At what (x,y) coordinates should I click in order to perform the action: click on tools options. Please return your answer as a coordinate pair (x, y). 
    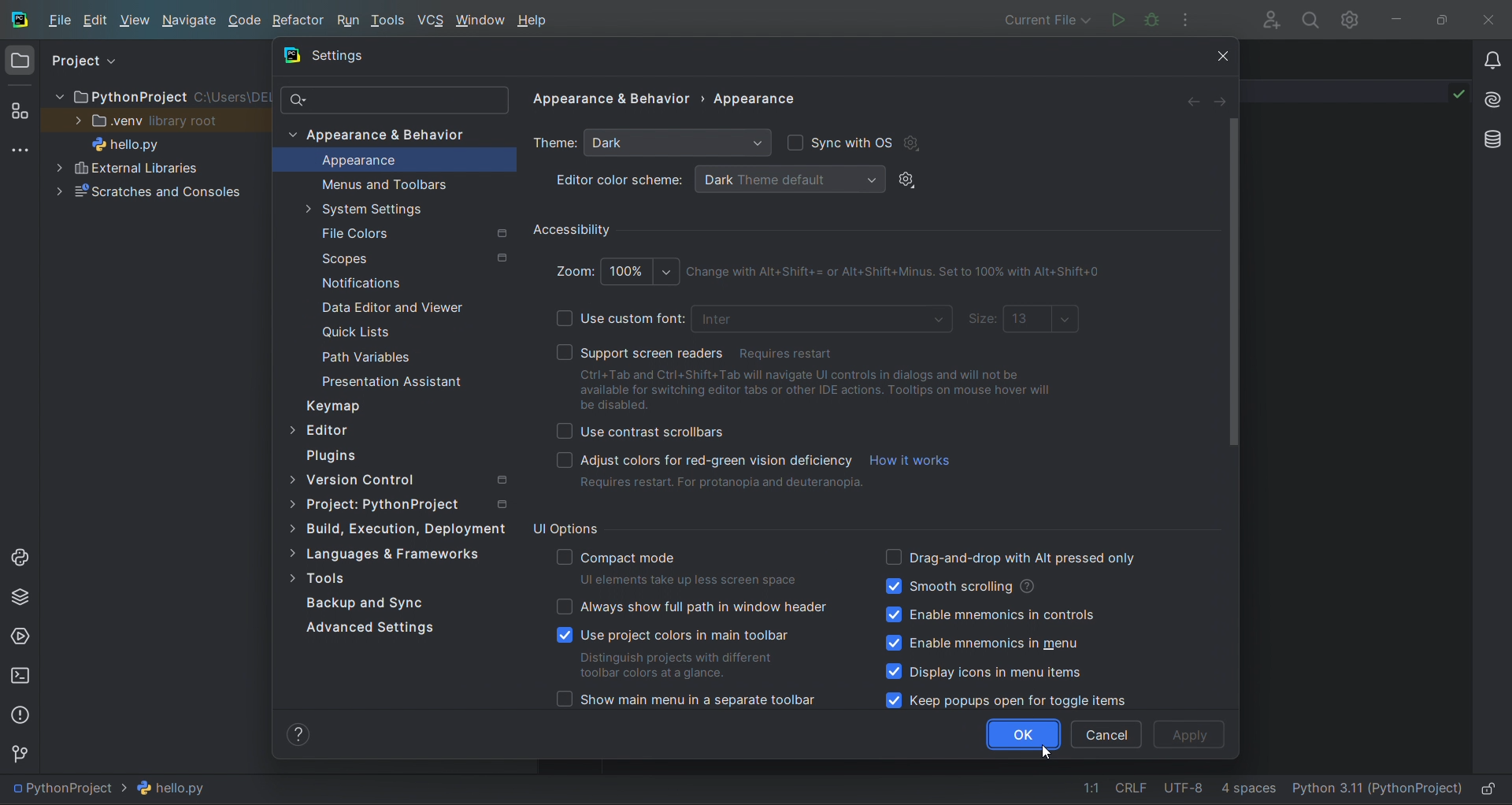
    Looking at the image, I should click on (395, 603).